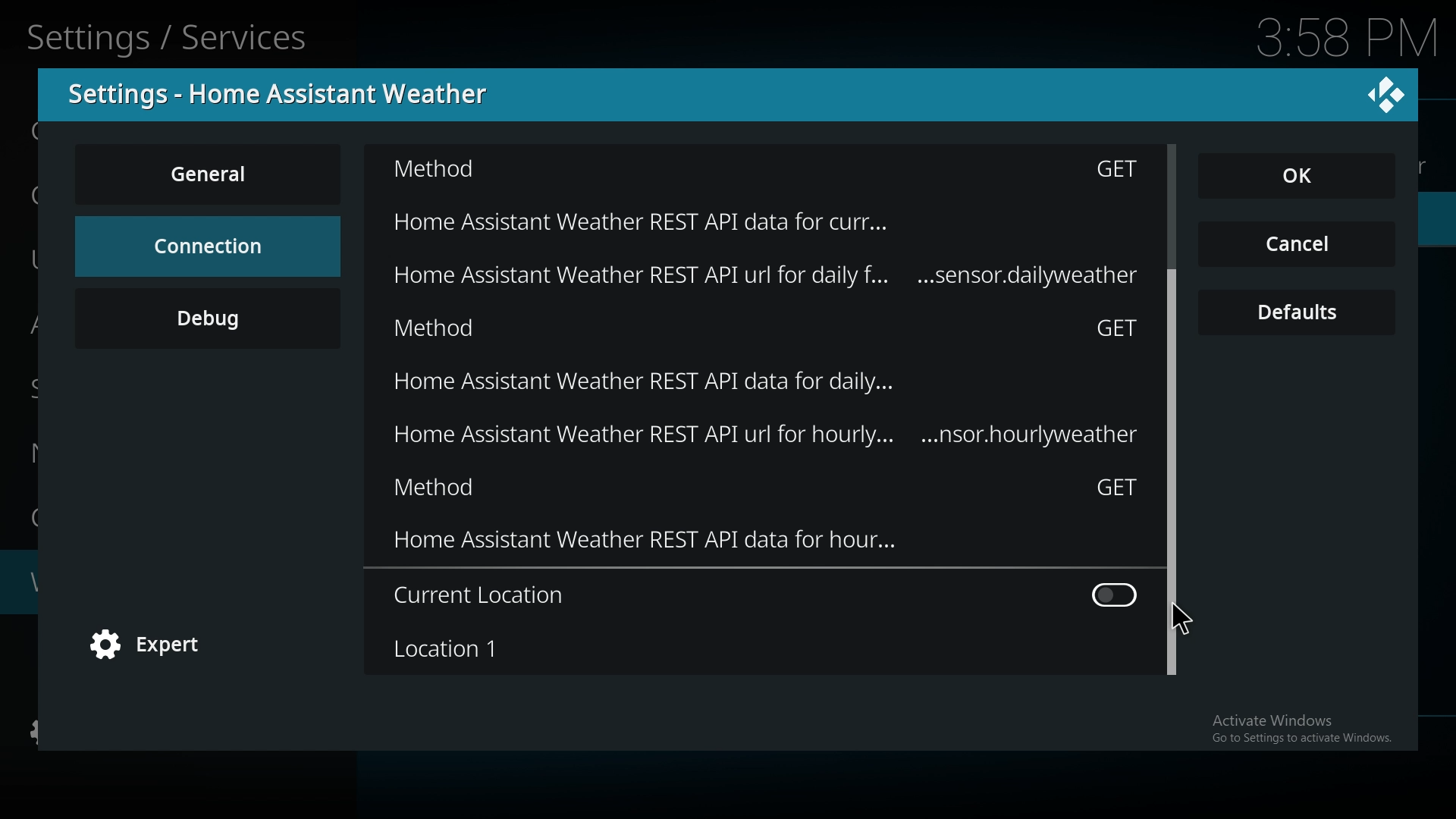  What do you see at coordinates (729, 438) in the screenshot?
I see `home assistant weather rest api url for hourly..` at bounding box center [729, 438].